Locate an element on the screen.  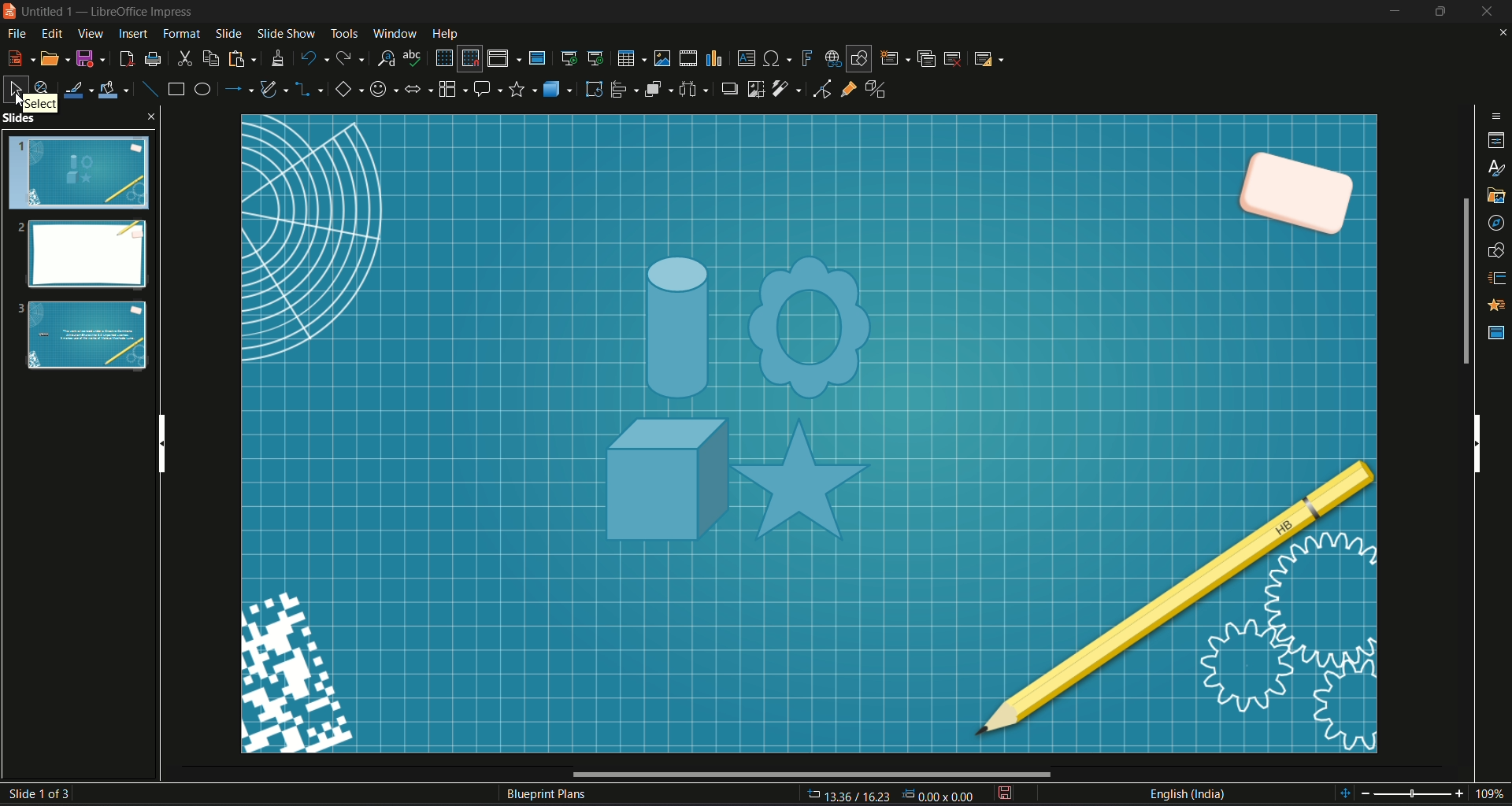
callout share is located at coordinates (487, 88).